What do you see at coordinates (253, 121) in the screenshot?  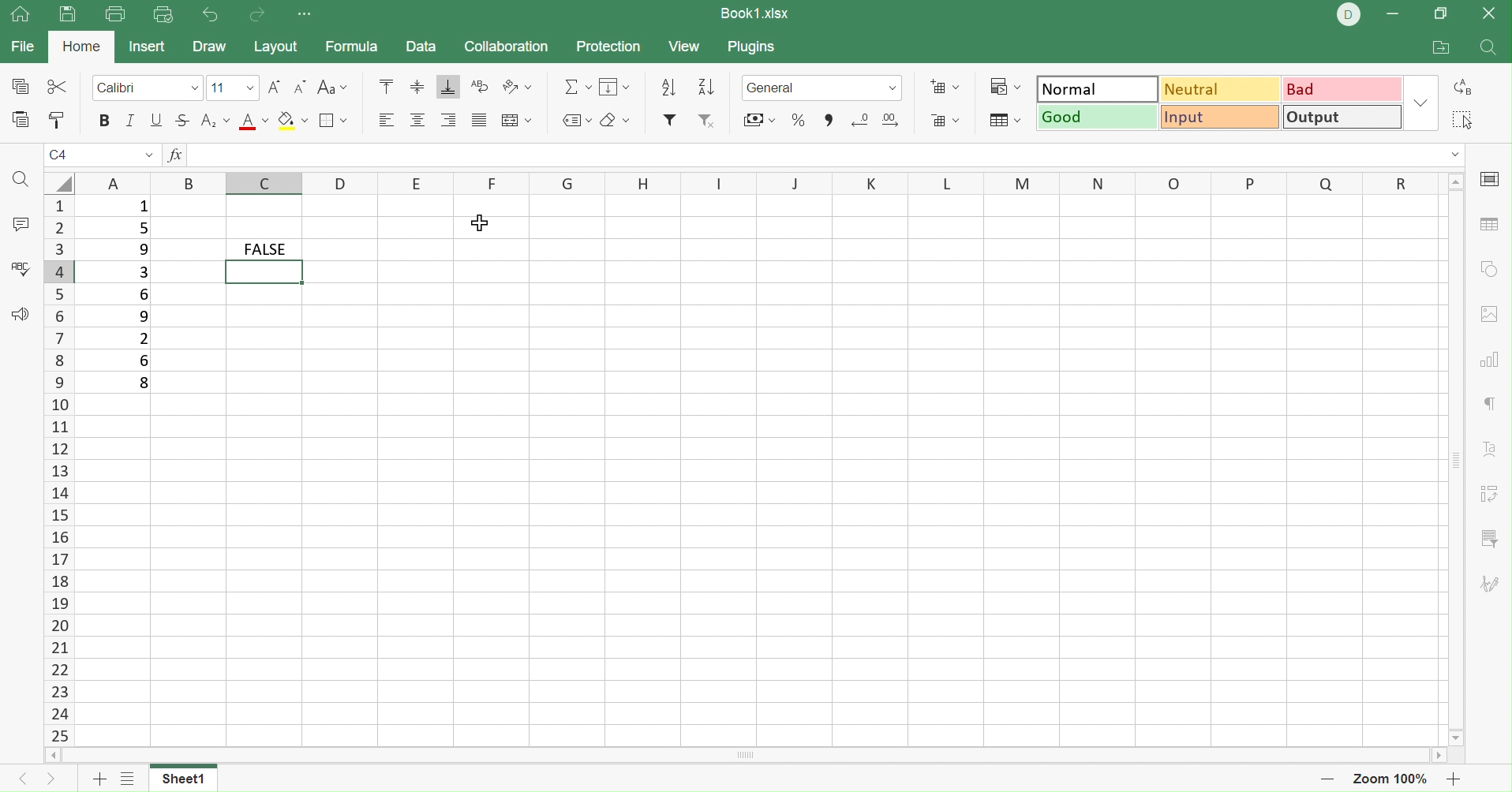 I see `Font` at bounding box center [253, 121].